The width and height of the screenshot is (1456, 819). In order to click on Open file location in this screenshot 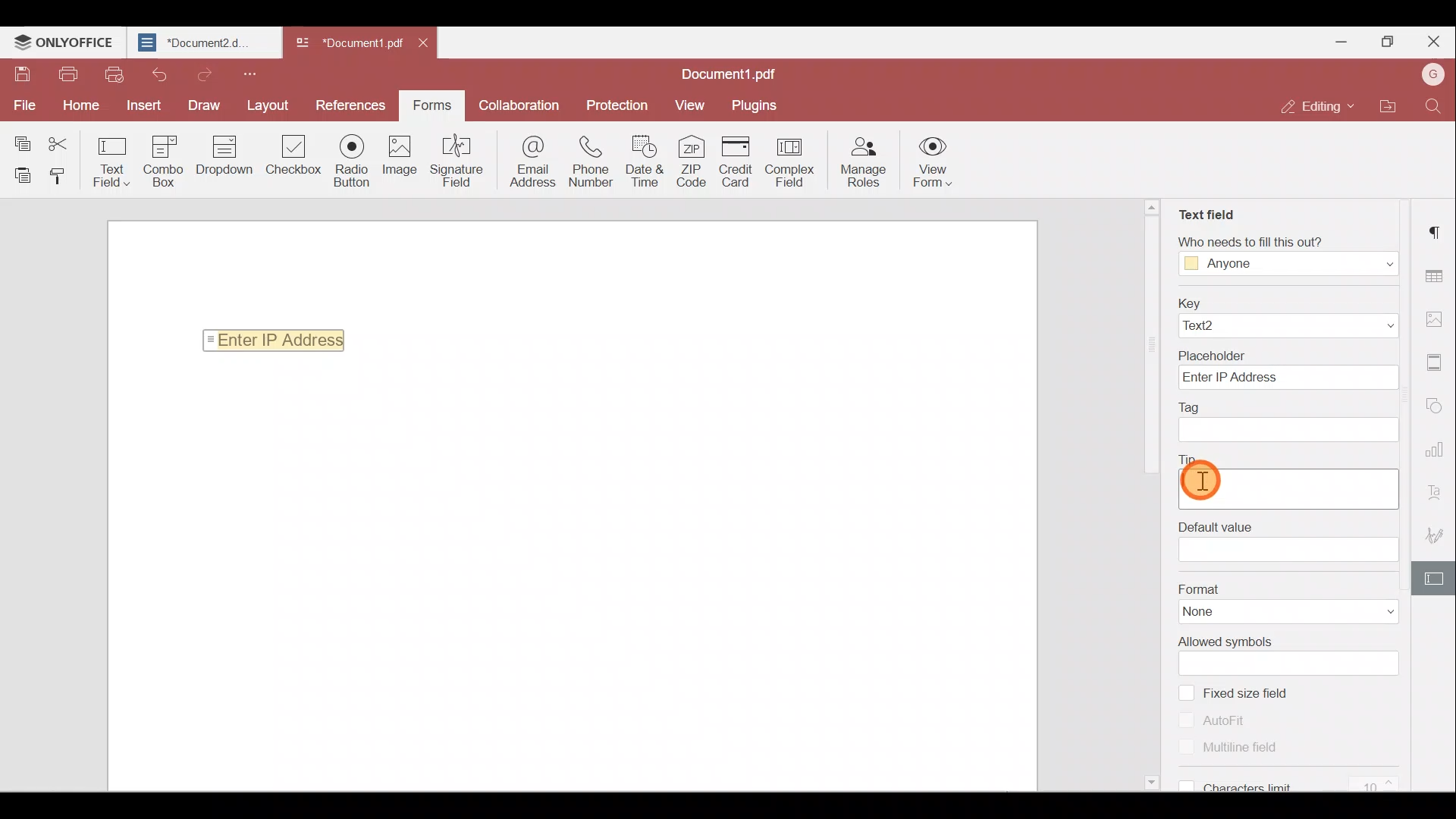, I will do `click(1383, 105)`.